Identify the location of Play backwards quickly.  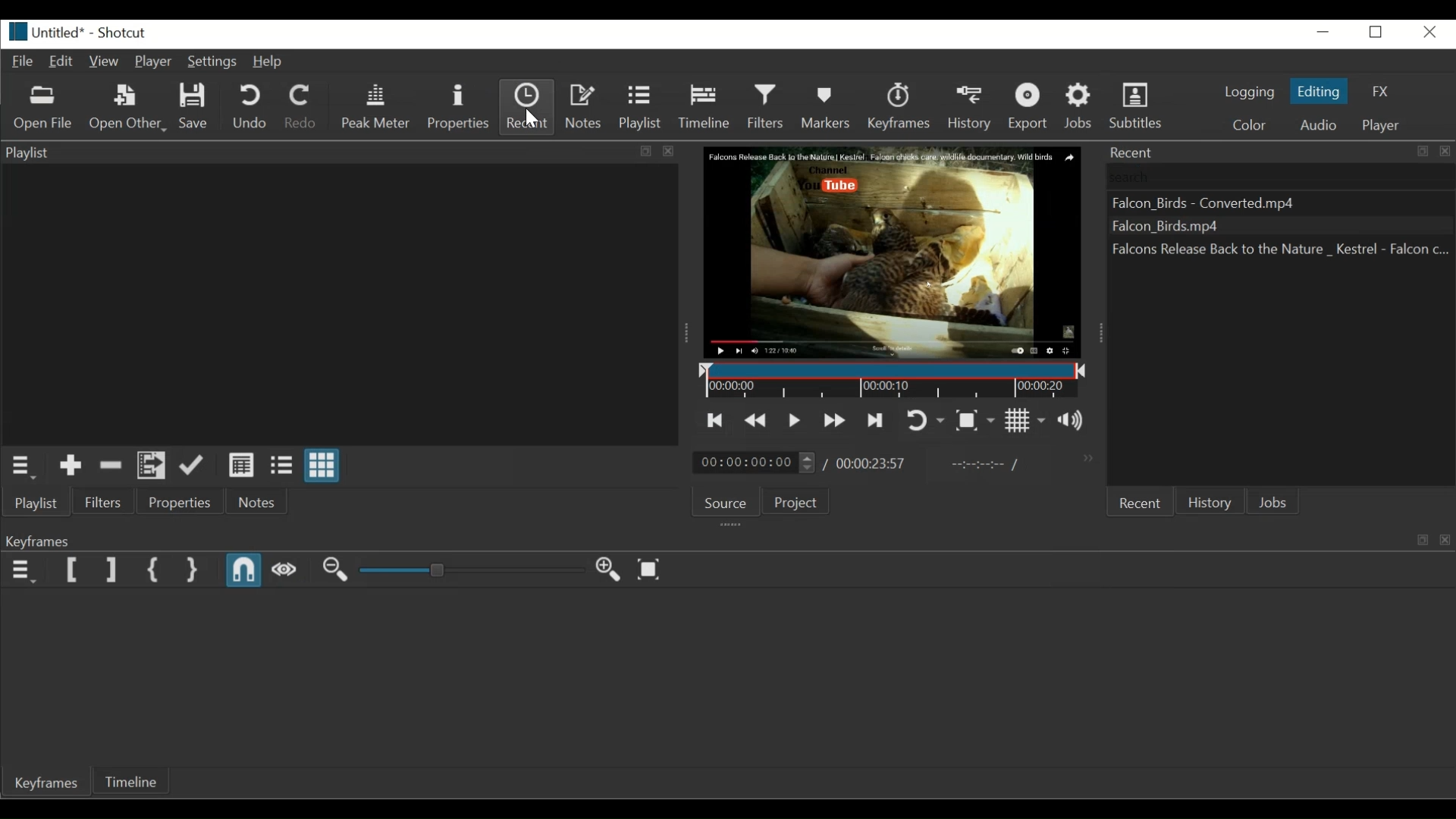
(757, 420).